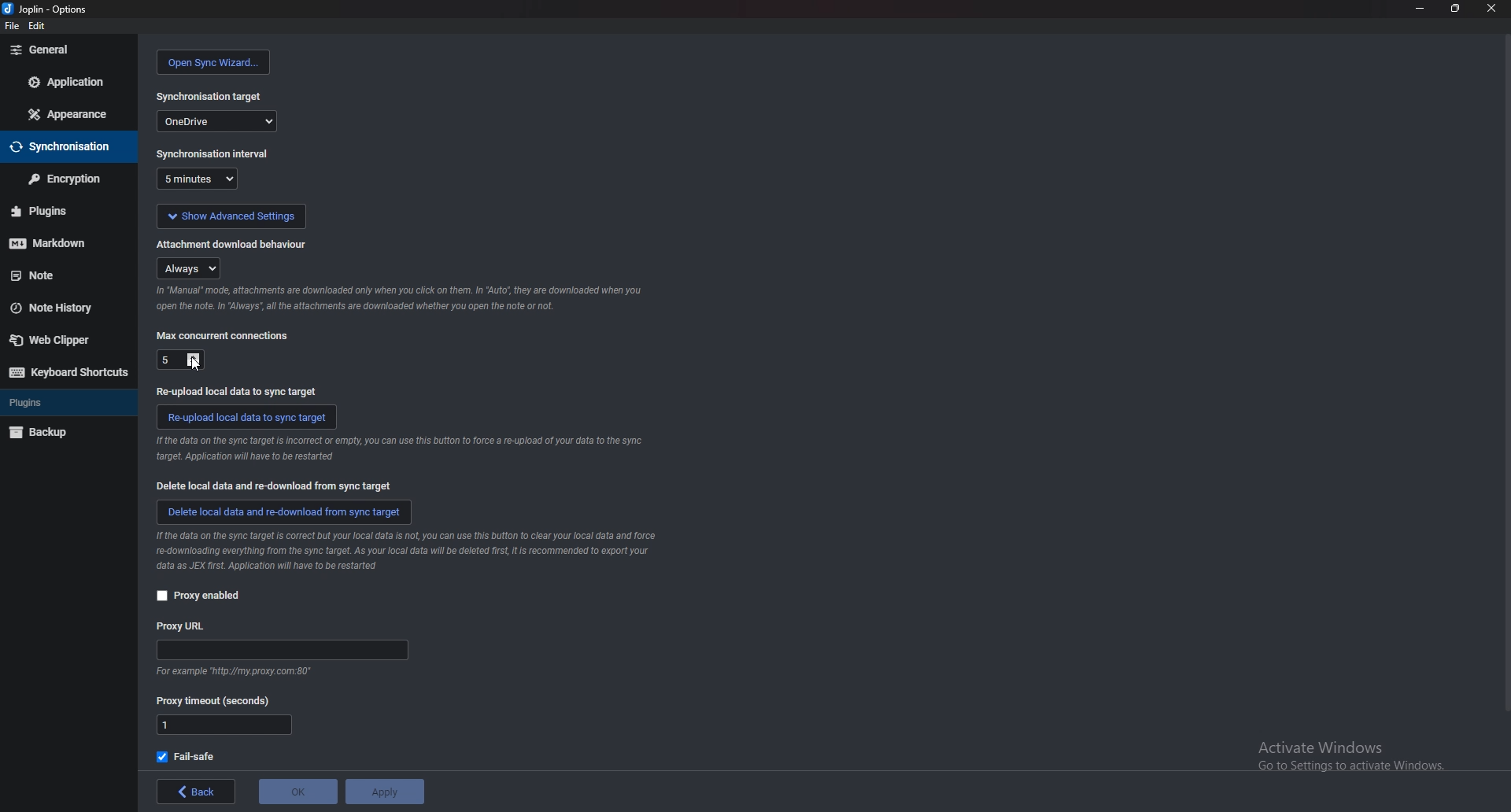 This screenshot has width=1511, height=812. What do you see at coordinates (1341, 751) in the screenshot?
I see `Activate Windows` at bounding box center [1341, 751].